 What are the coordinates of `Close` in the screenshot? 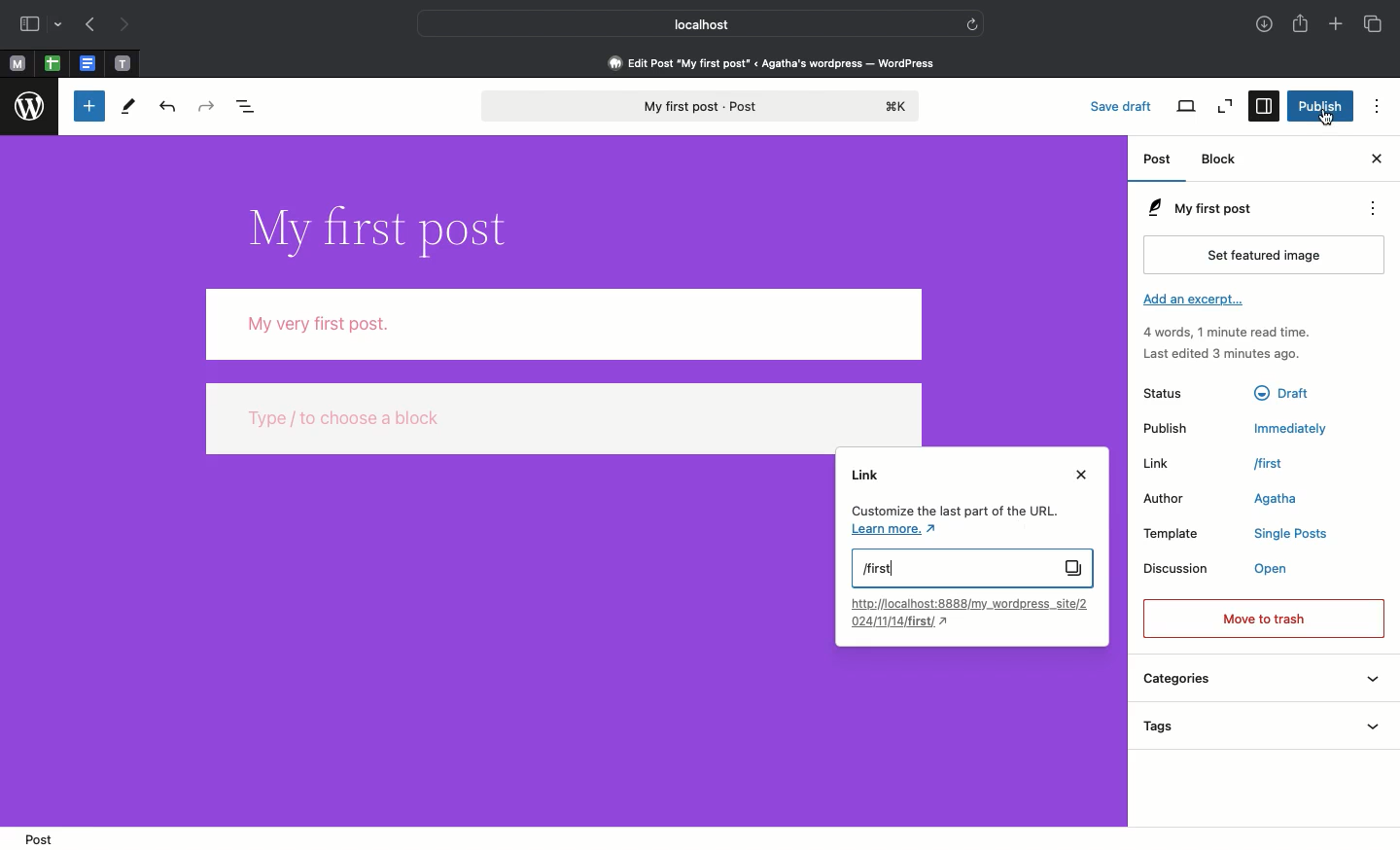 It's located at (1378, 160).